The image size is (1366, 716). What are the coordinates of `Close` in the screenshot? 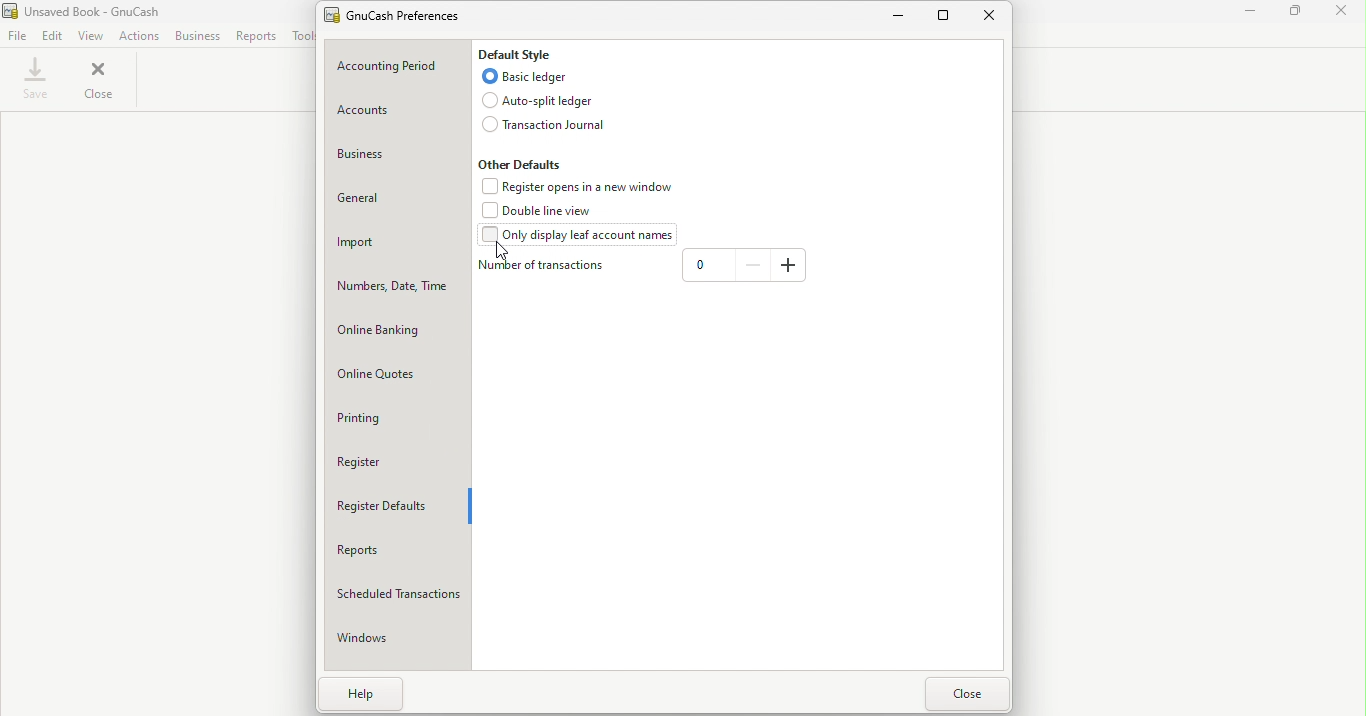 It's located at (966, 695).